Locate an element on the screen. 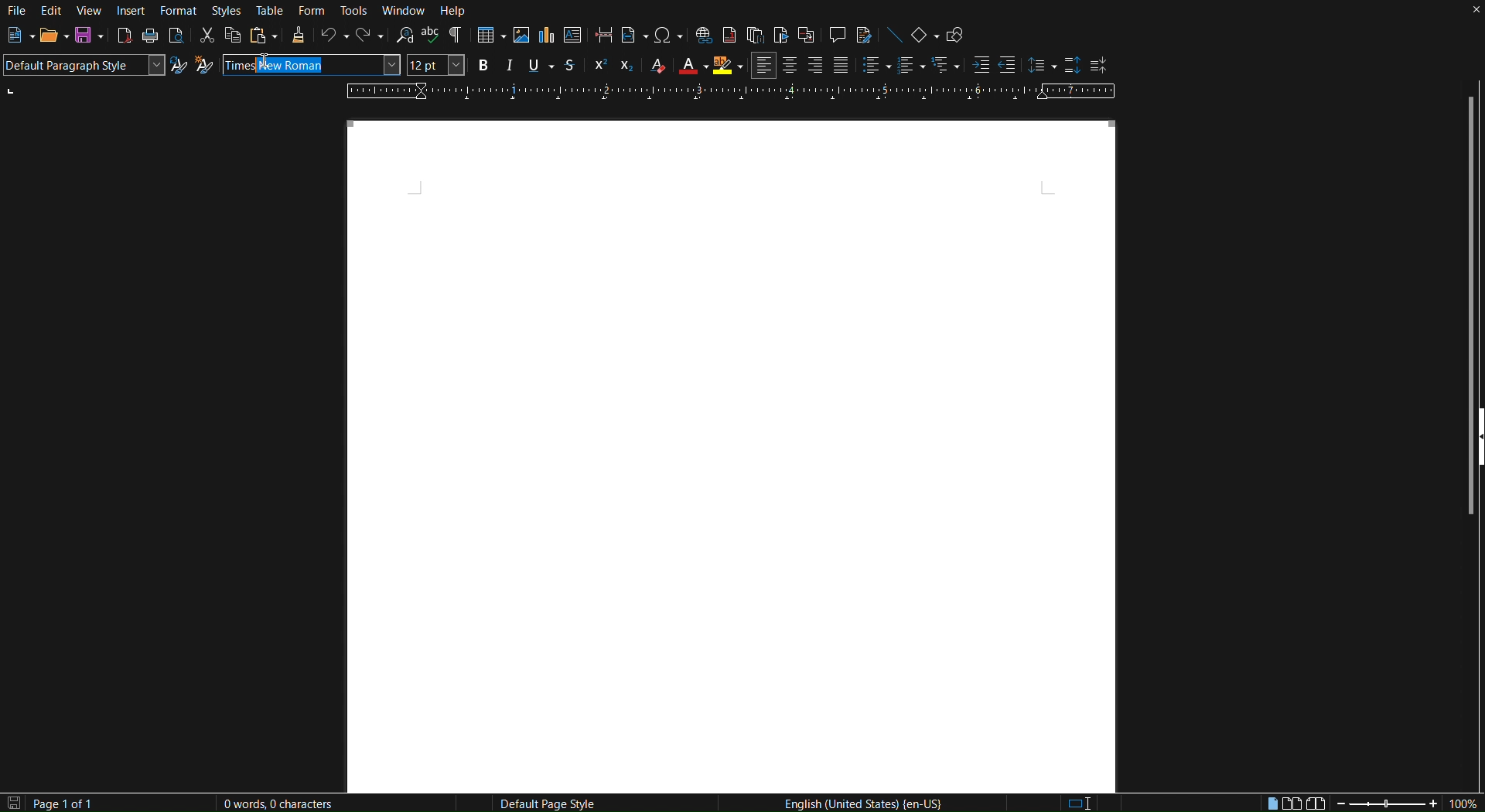 The height and width of the screenshot is (812, 1485). Insert Endnote is located at coordinates (754, 37).